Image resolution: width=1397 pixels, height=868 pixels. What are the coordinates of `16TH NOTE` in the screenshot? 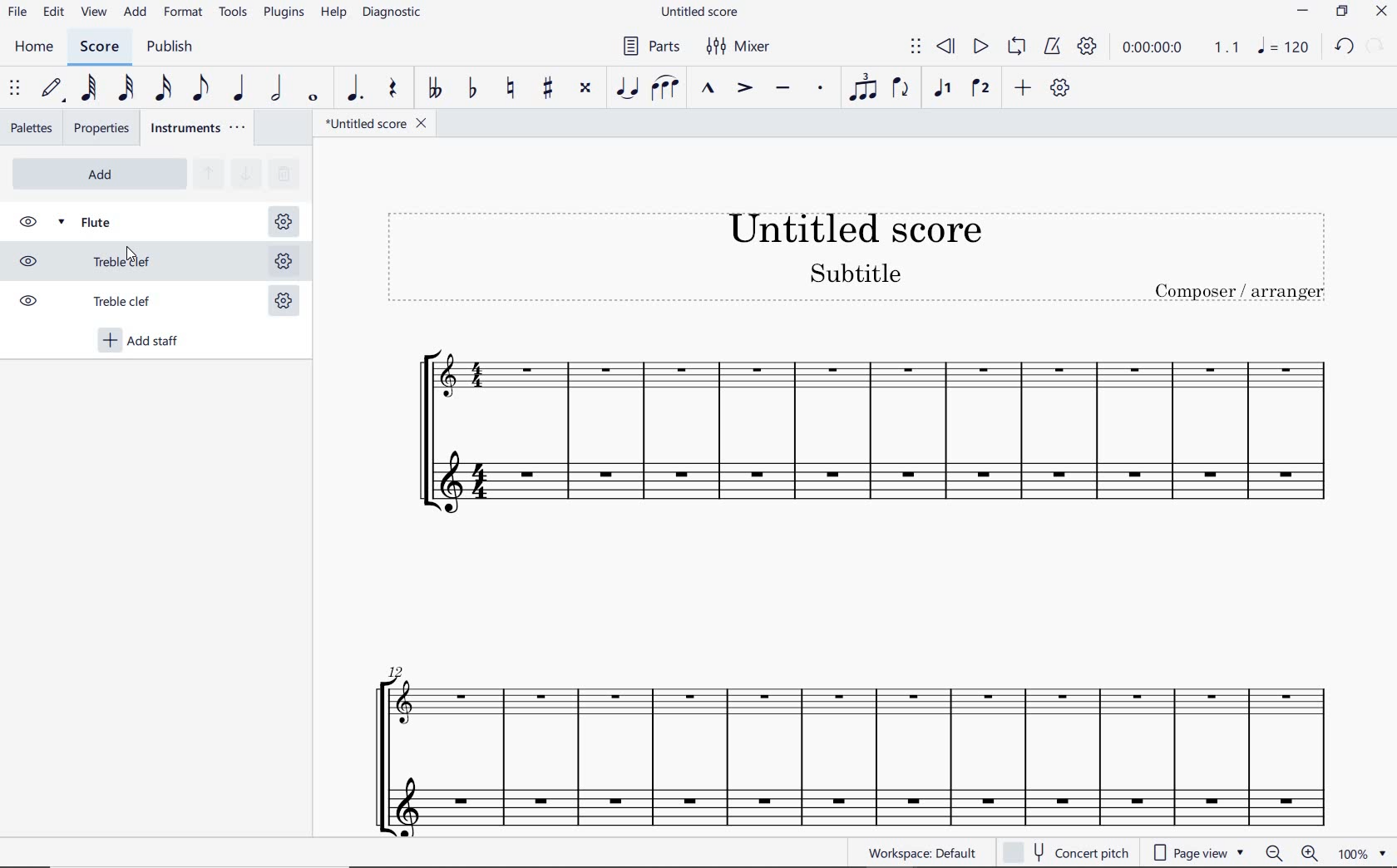 It's located at (164, 89).